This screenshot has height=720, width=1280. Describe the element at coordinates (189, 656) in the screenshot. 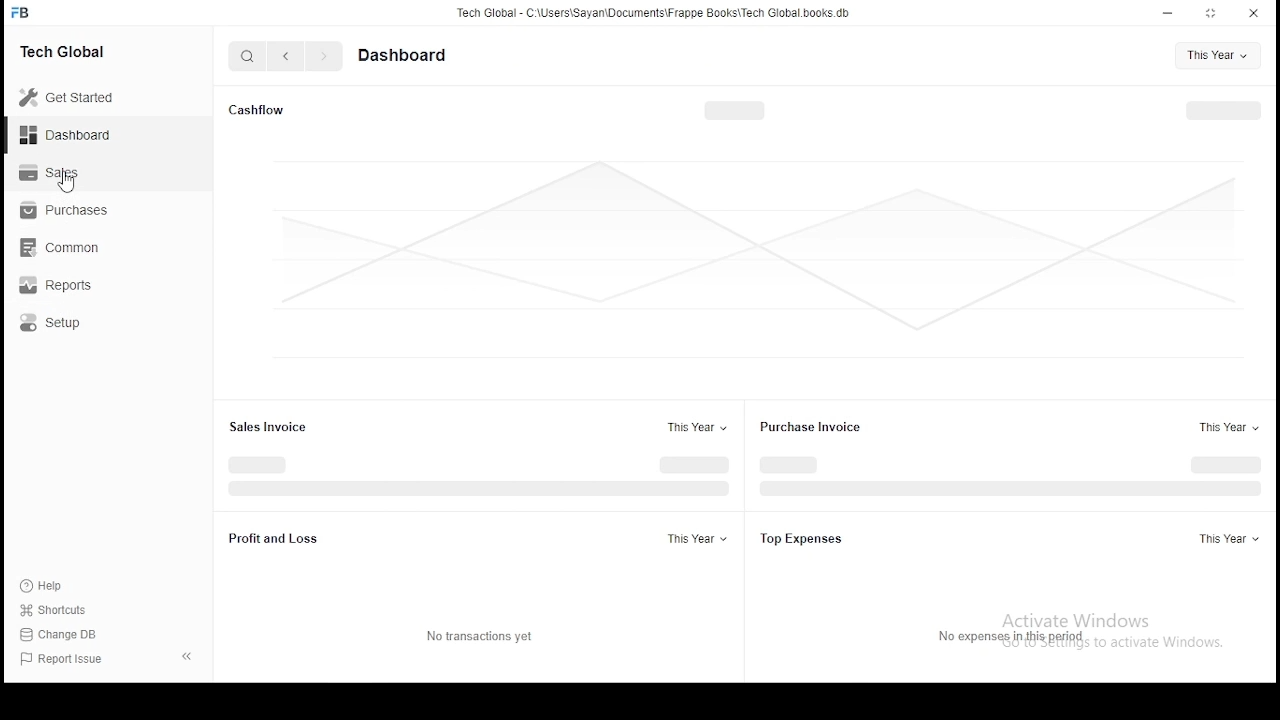

I see `close pane` at that location.